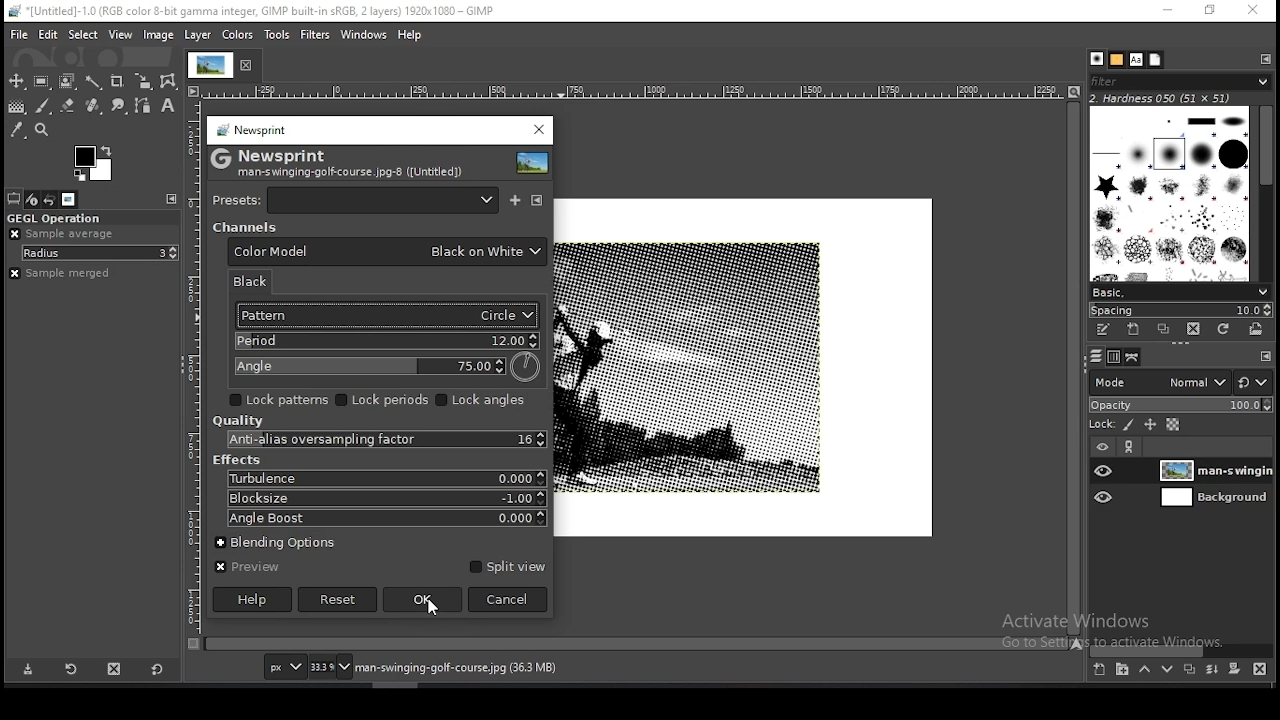 The height and width of the screenshot is (720, 1280). Describe the element at coordinates (93, 163) in the screenshot. I see `colors` at that location.